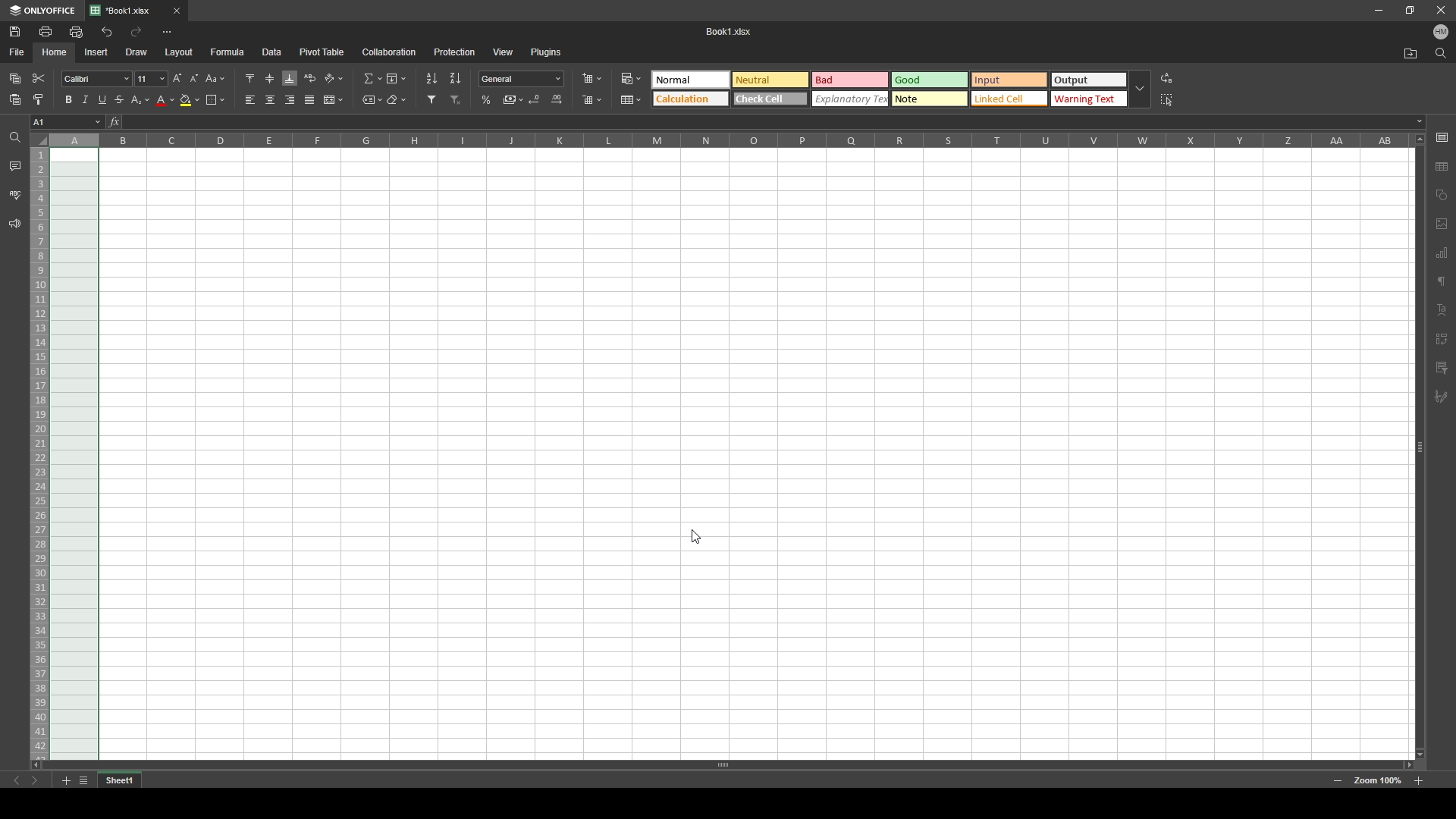 The height and width of the screenshot is (819, 1456). What do you see at coordinates (75, 31) in the screenshot?
I see `quick print` at bounding box center [75, 31].